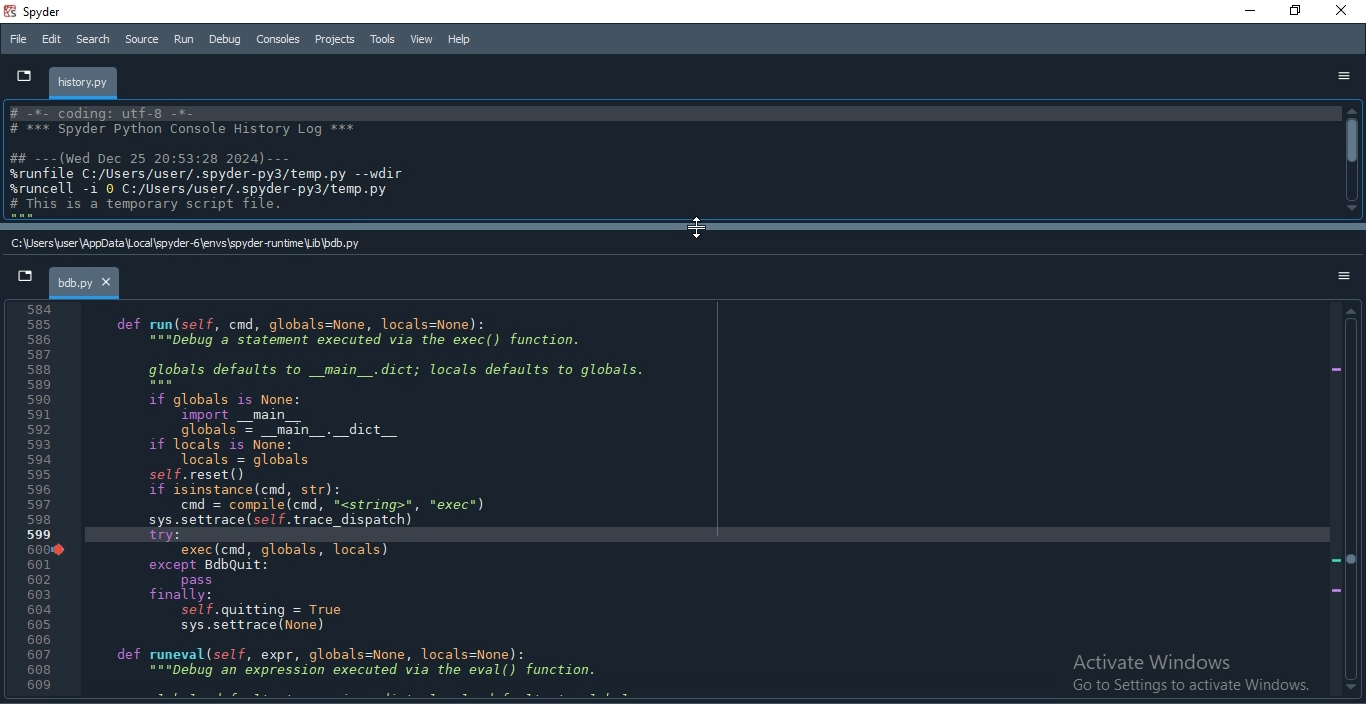  What do you see at coordinates (1346, 12) in the screenshot?
I see `close` at bounding box center [1346, 12].